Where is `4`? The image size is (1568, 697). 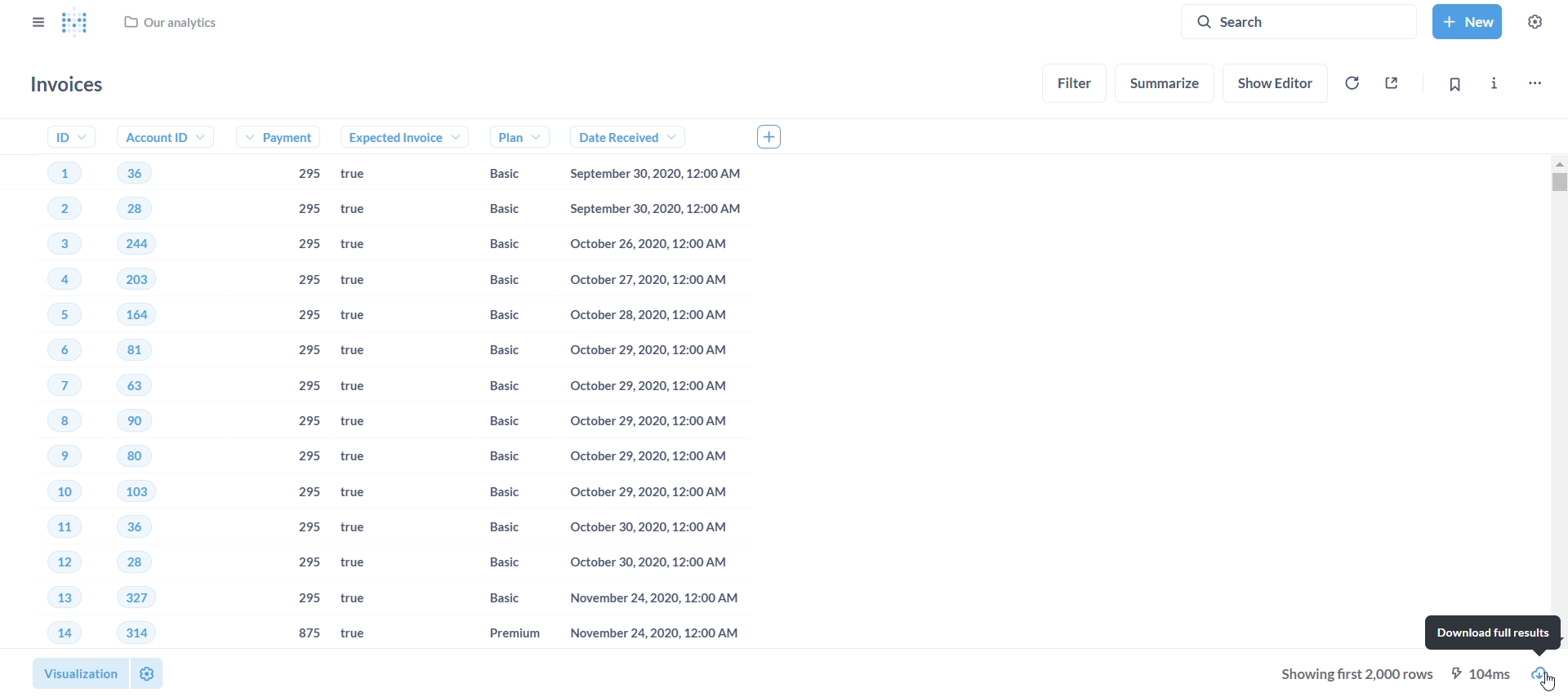
4 is located at coordinates (53, 281).